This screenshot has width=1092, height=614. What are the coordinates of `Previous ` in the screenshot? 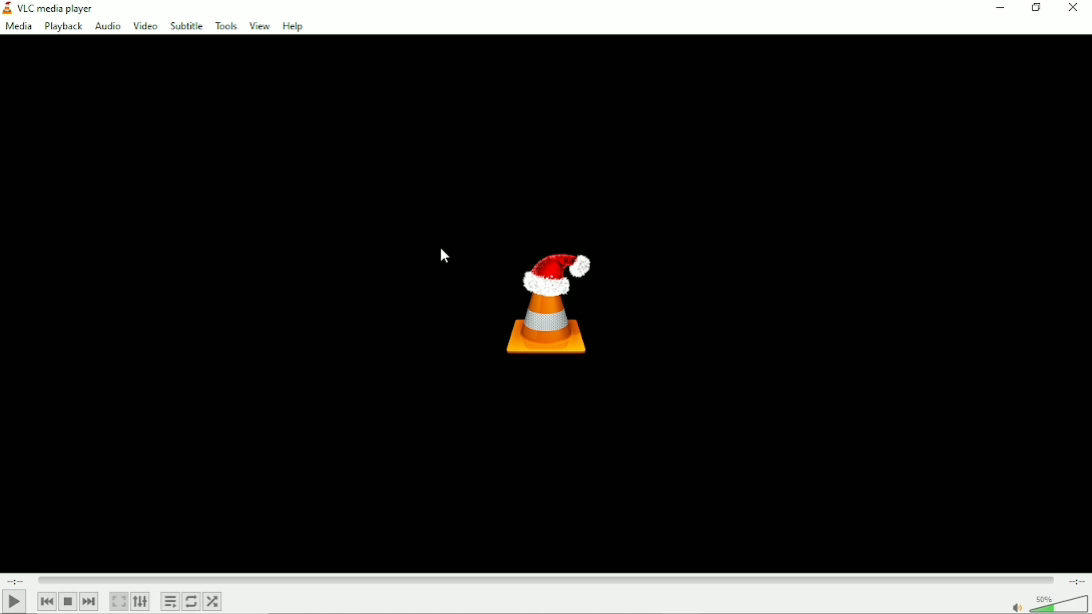 It's located at (47, 602).